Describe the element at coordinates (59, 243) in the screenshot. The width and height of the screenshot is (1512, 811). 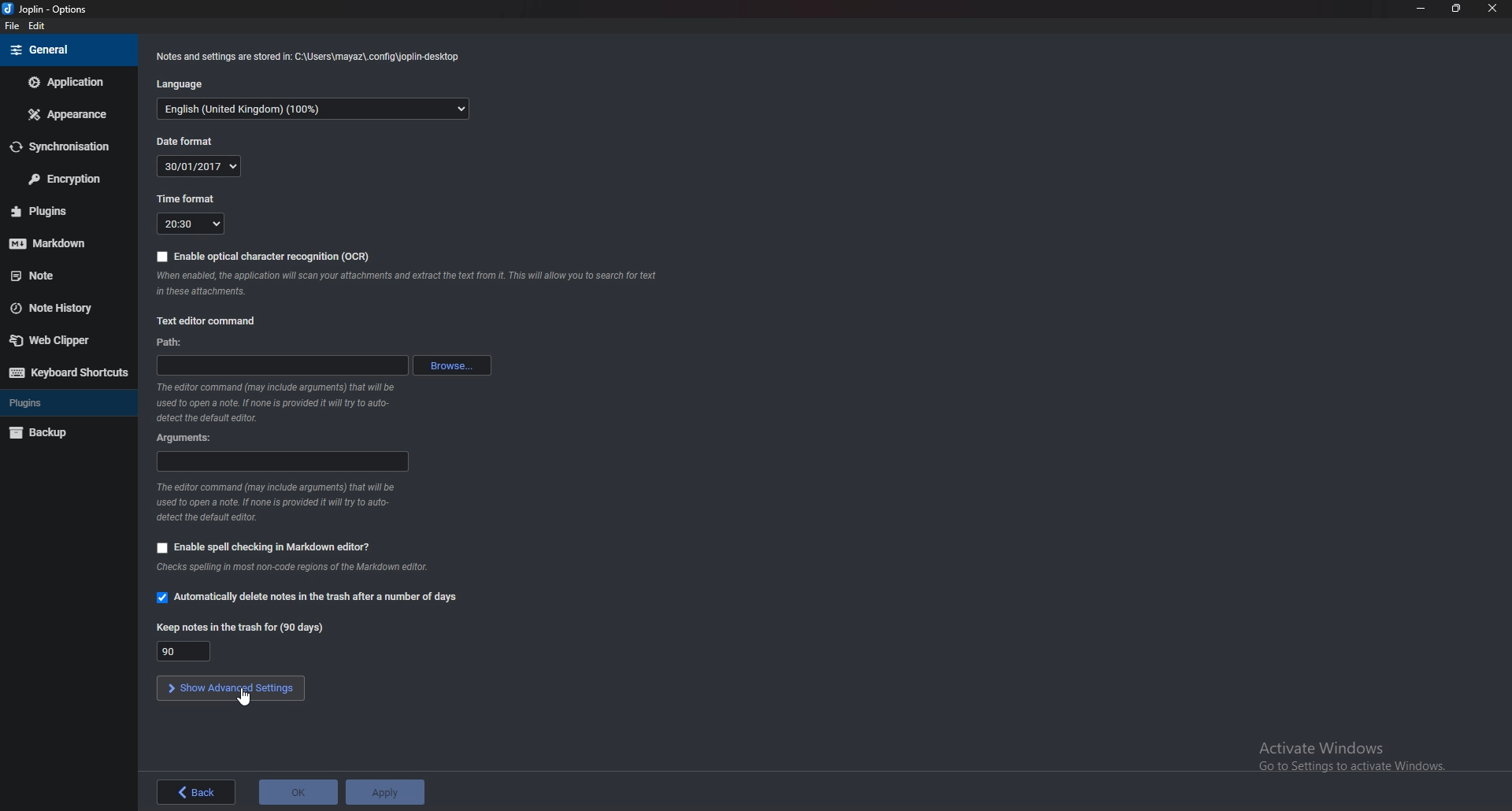
I see `Markdown` at that location.